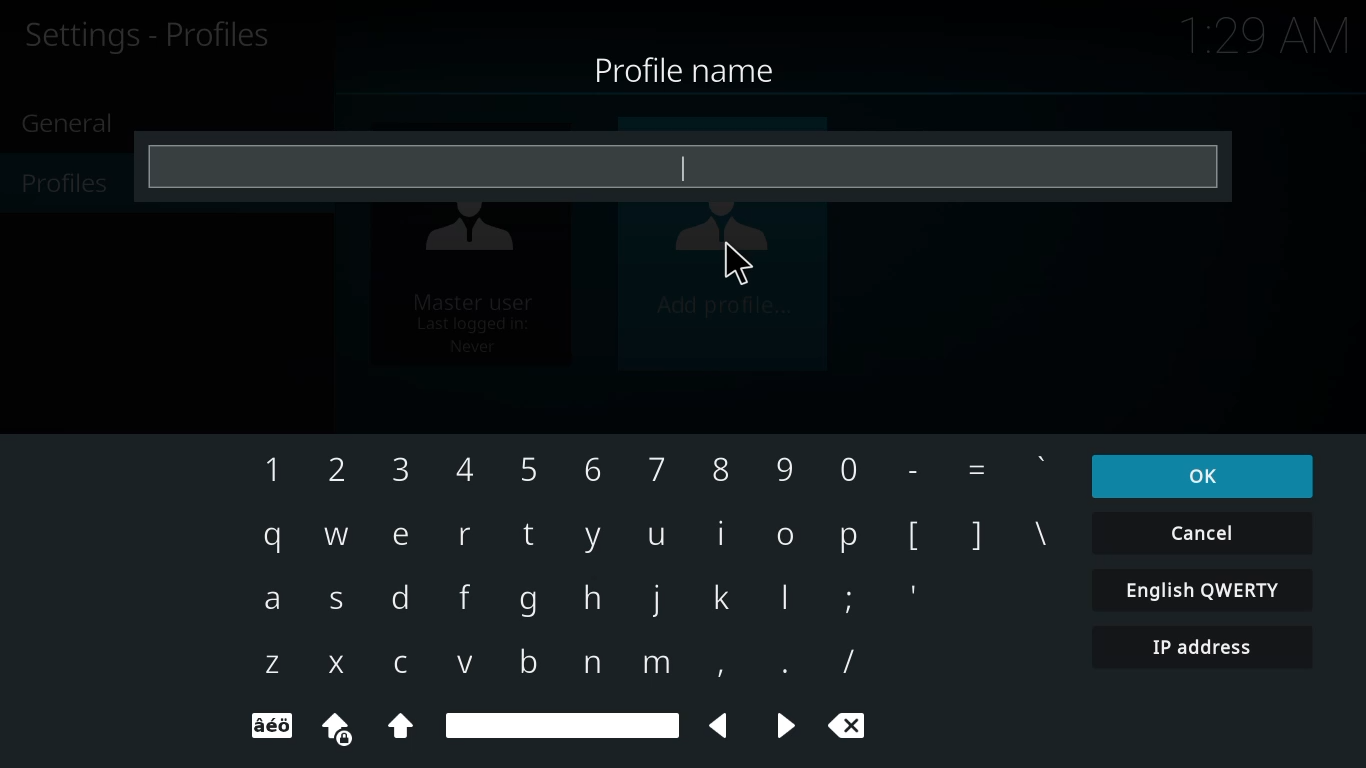  What do you see at coordinates (586, 542) in the screenshot?
I see `y` at bounding box center [586, 542].